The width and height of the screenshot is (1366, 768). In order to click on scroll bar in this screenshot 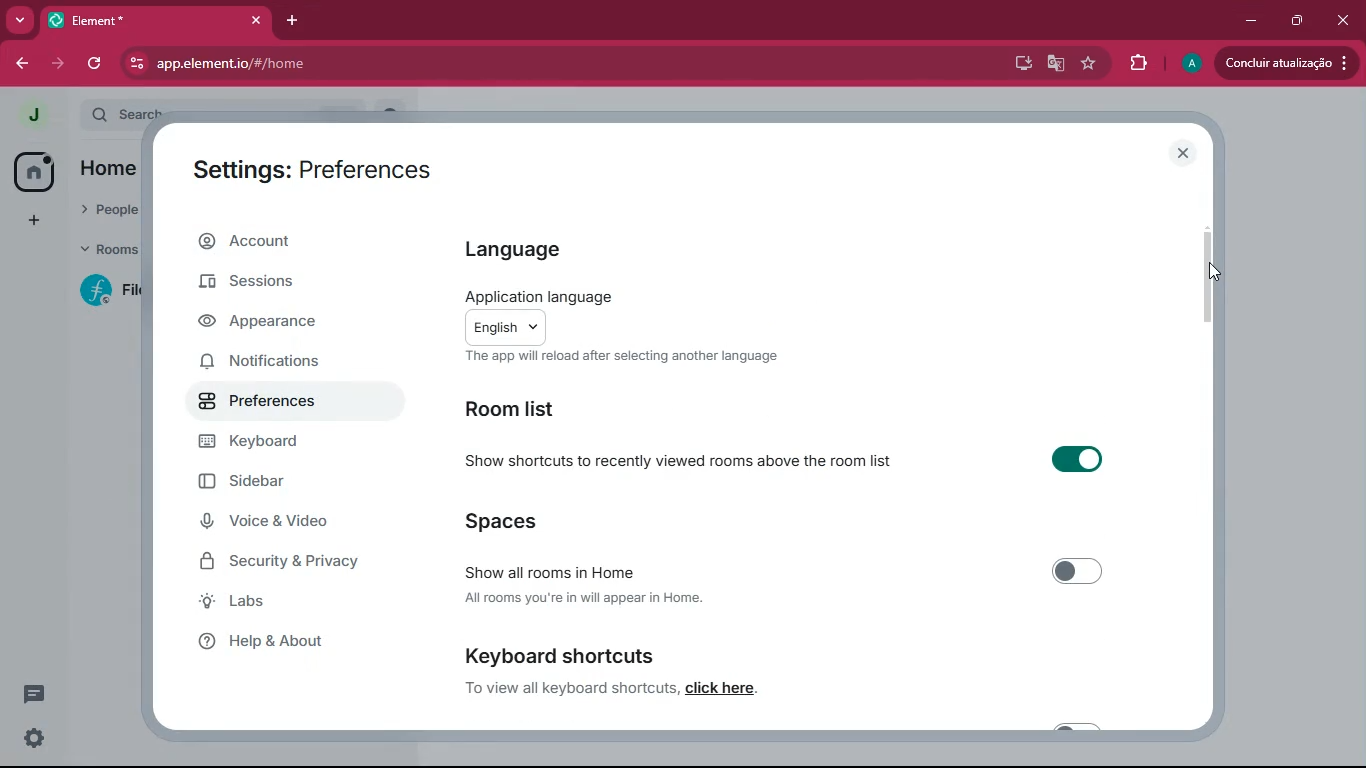, I will do `click(1209, 272)`.